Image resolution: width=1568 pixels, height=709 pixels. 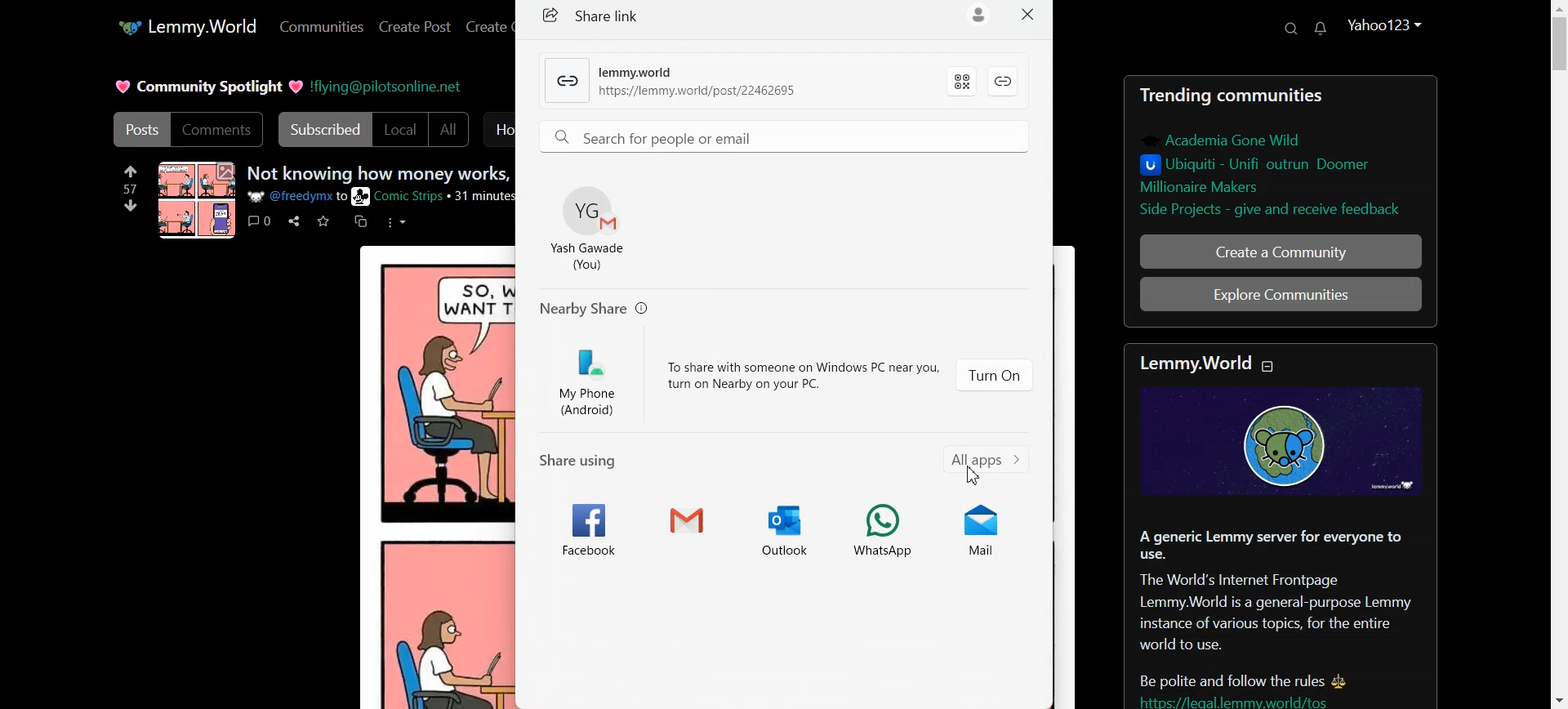 I want to click on Search, so click(x=1290, y=29).